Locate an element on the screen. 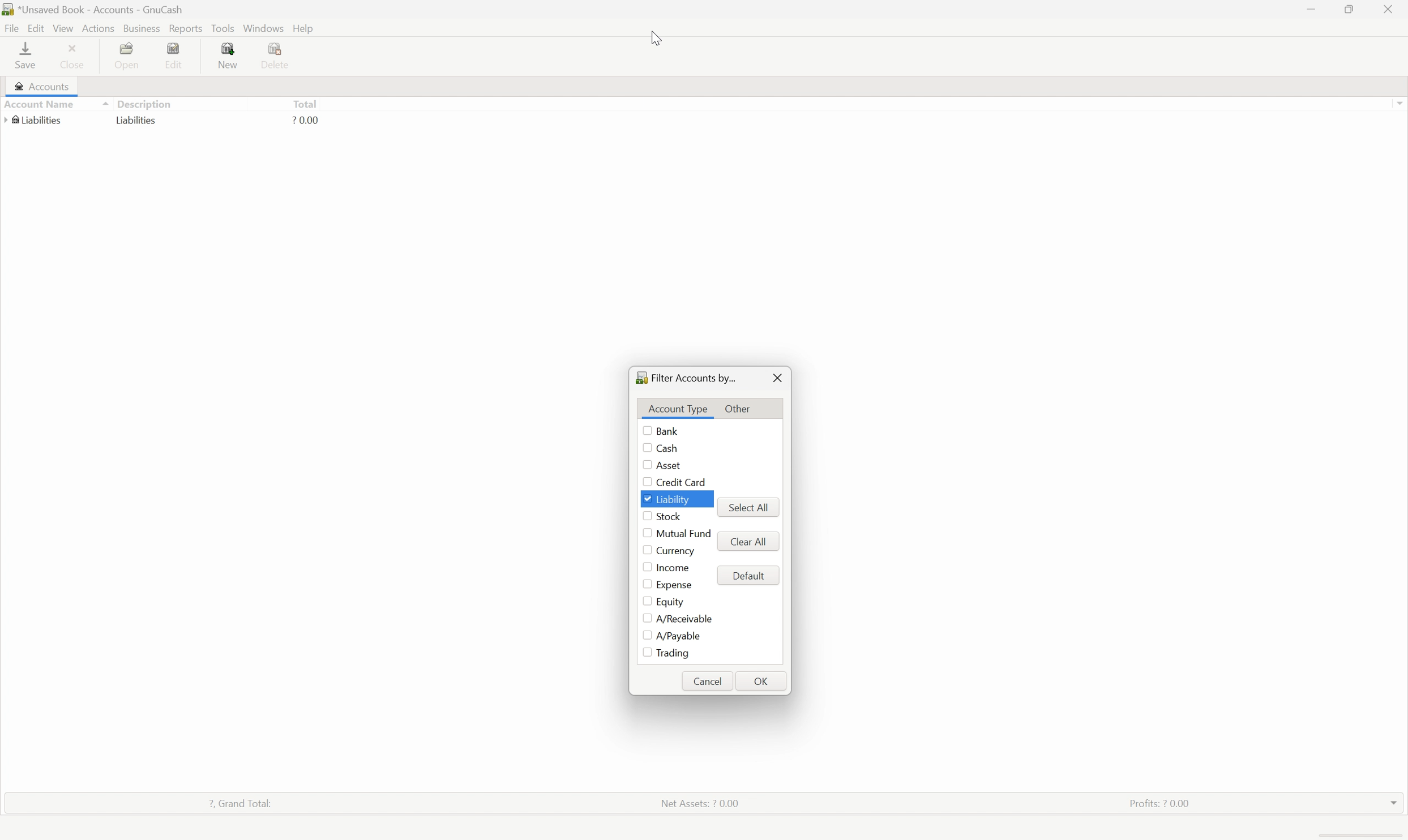 This screenshot has height=840, width=1408. Accounts is located at coordinates (41, 87).